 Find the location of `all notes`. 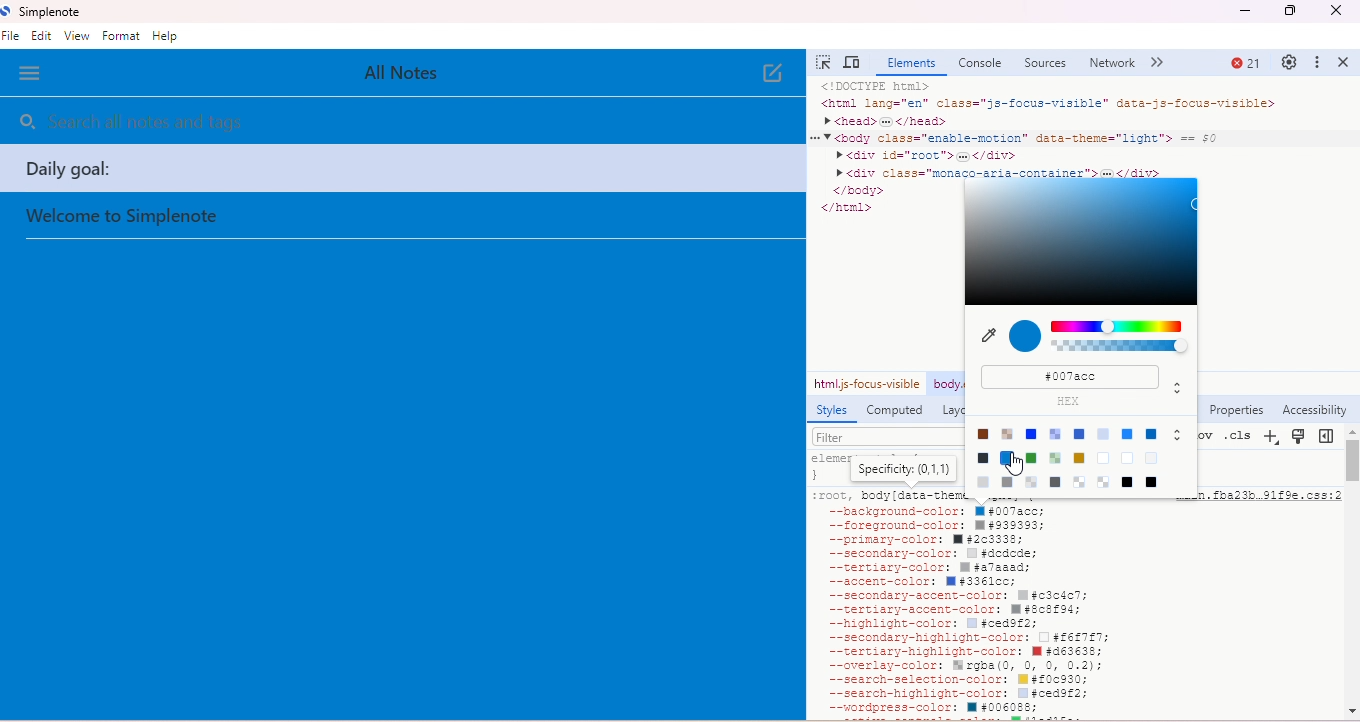

all notes is located at coordinates (417, 72).